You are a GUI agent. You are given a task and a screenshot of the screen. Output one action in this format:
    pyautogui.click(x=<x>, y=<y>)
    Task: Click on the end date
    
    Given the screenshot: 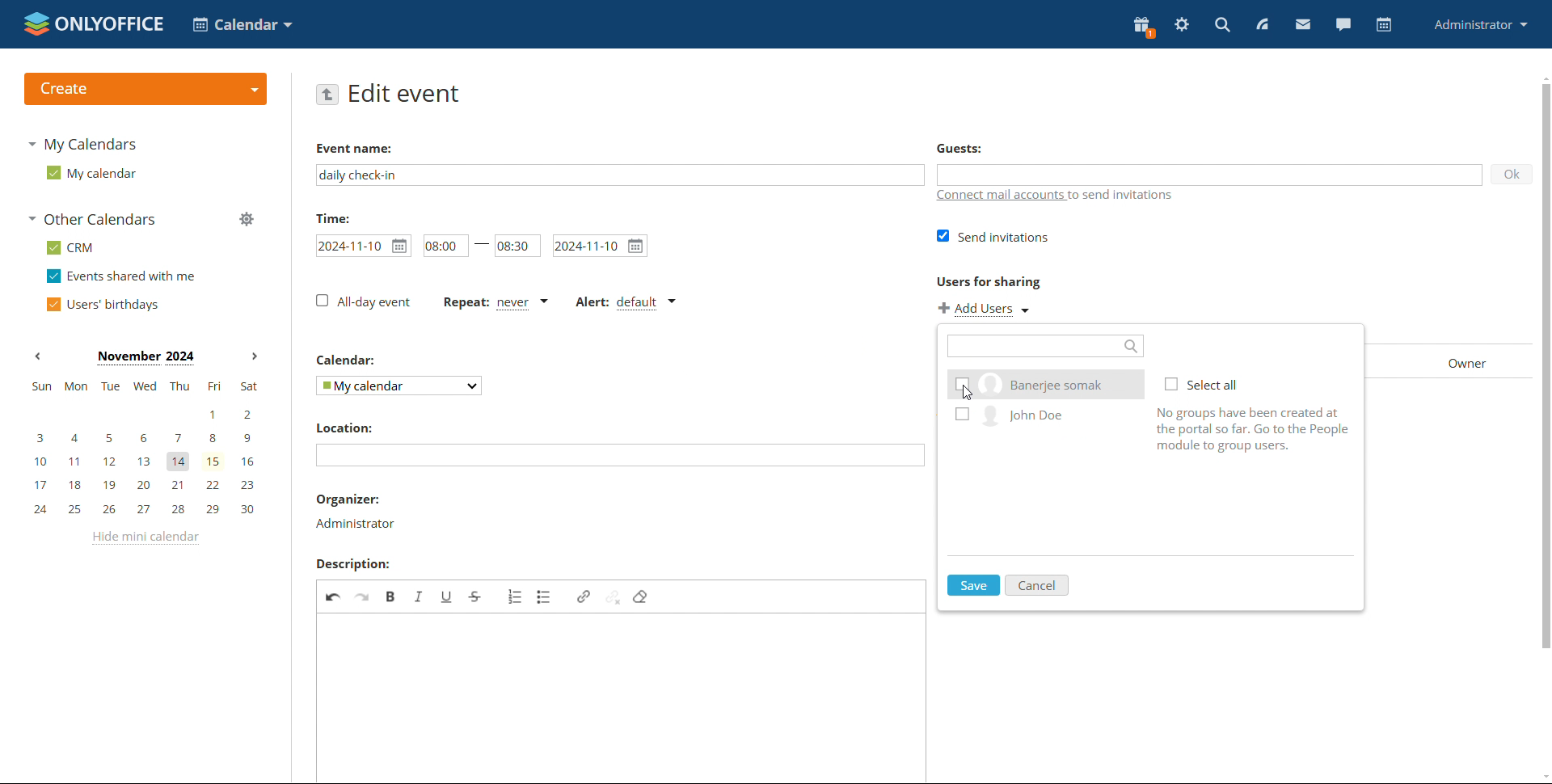 What is the action you would take?
    pyautogui.click(x=601, y=245)
    